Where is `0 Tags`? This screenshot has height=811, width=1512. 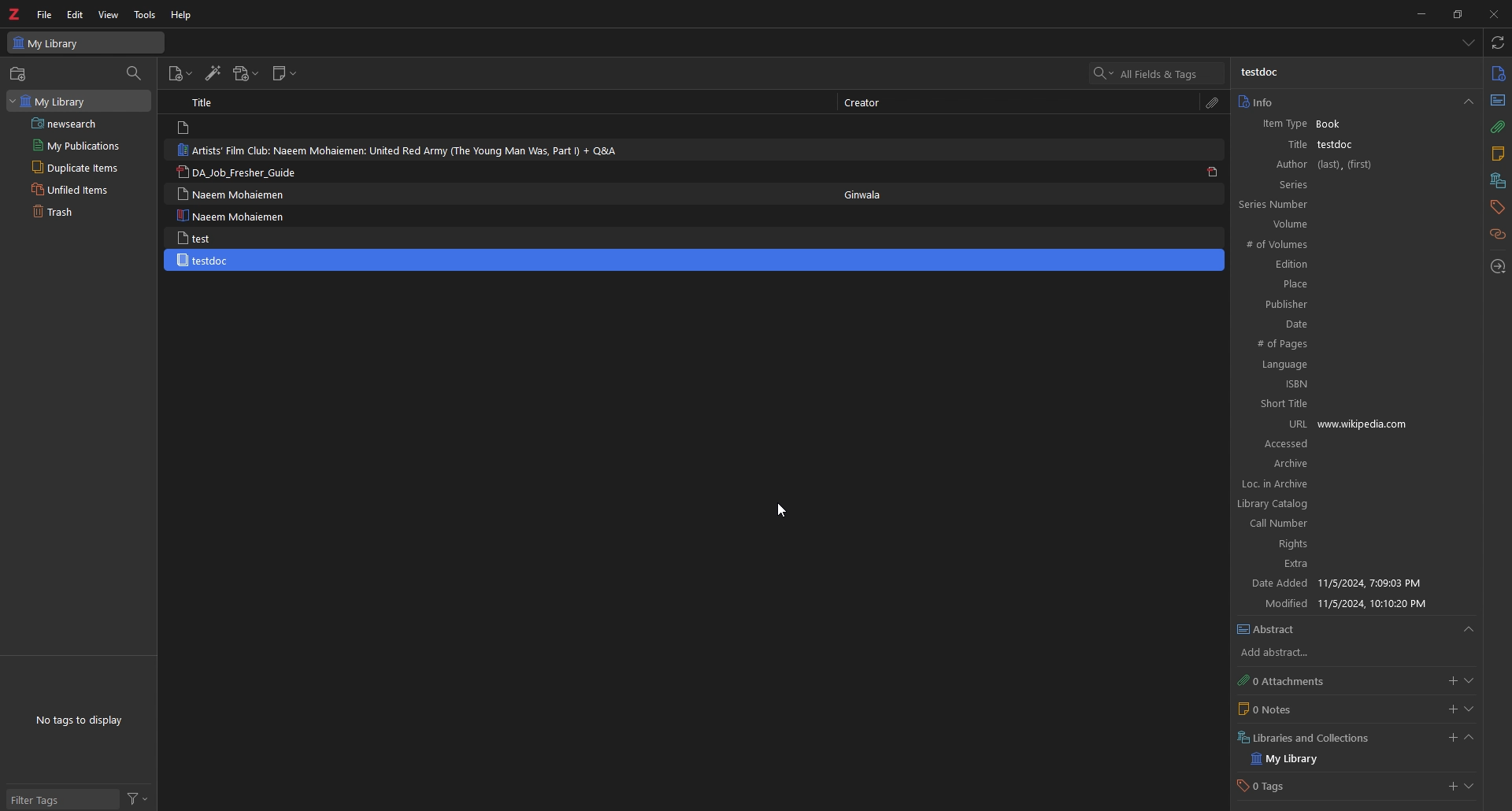
0 Tags is located at coordinates (1273, 786).